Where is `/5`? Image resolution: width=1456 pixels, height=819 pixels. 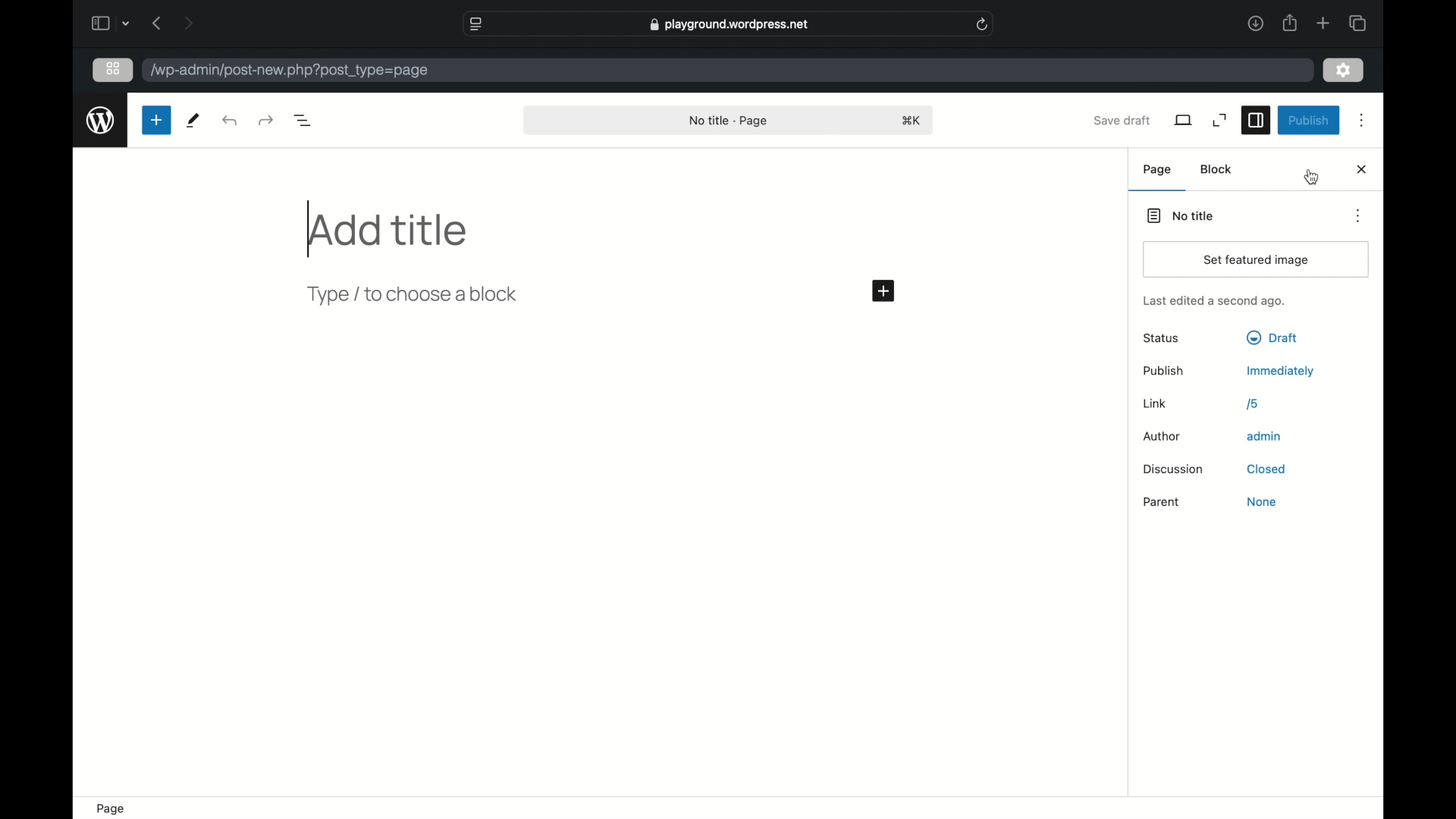 /5 is located at coordinates (1254, 404).